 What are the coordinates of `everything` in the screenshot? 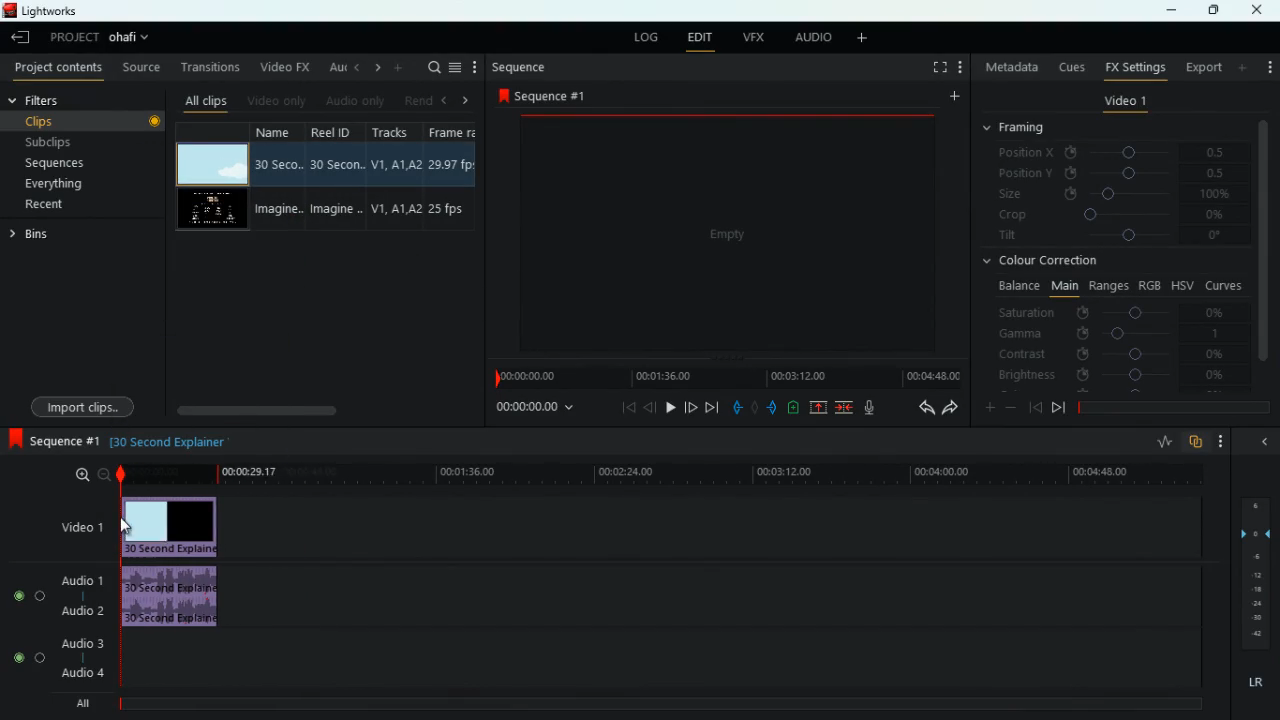 It's located at (57, 186).